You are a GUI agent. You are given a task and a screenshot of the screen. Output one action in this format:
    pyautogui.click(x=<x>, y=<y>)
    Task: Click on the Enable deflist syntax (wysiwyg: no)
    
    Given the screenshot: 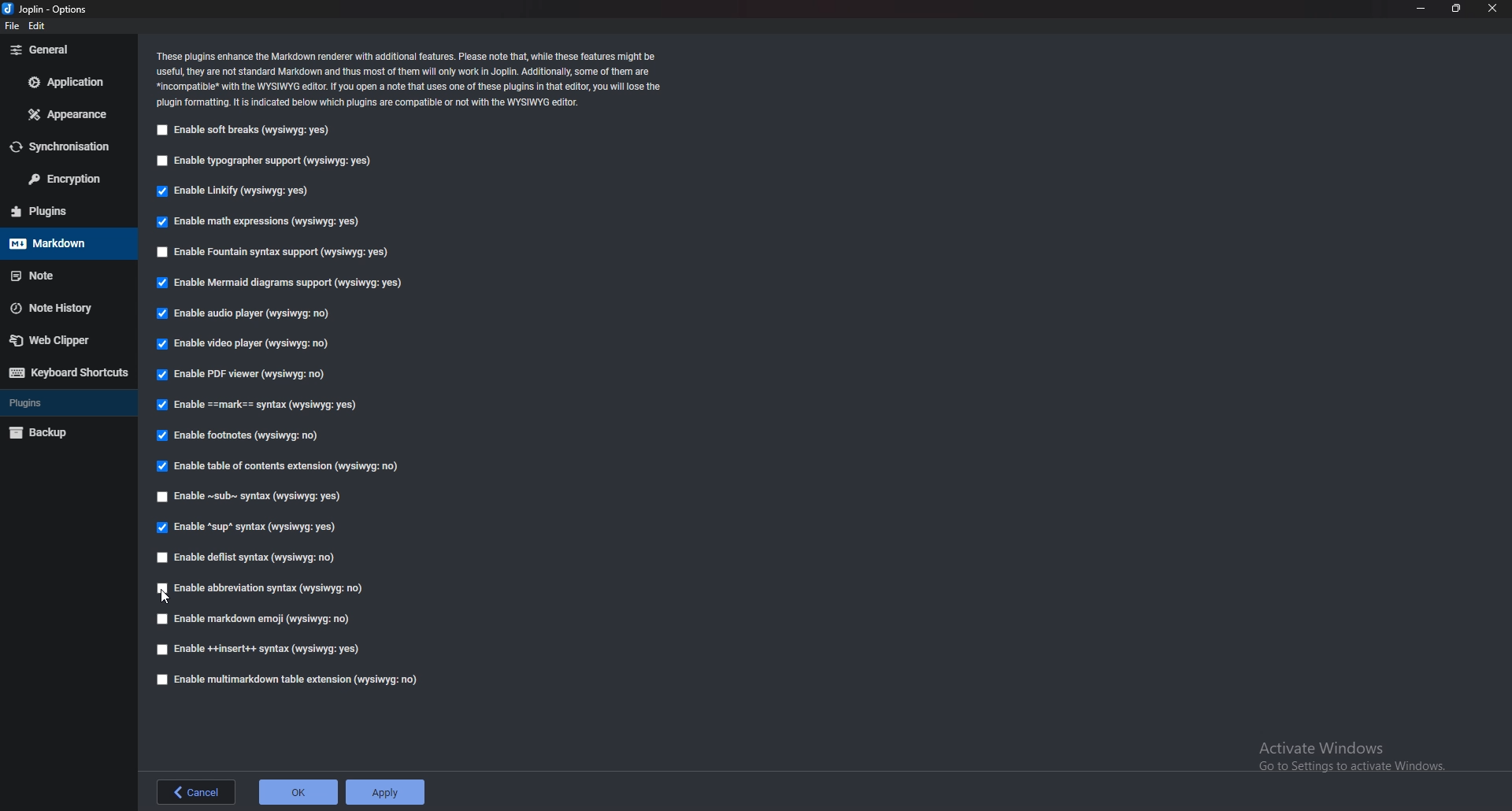 What is the action you would take?
    pyautogui.click(x=249, y=558)
    